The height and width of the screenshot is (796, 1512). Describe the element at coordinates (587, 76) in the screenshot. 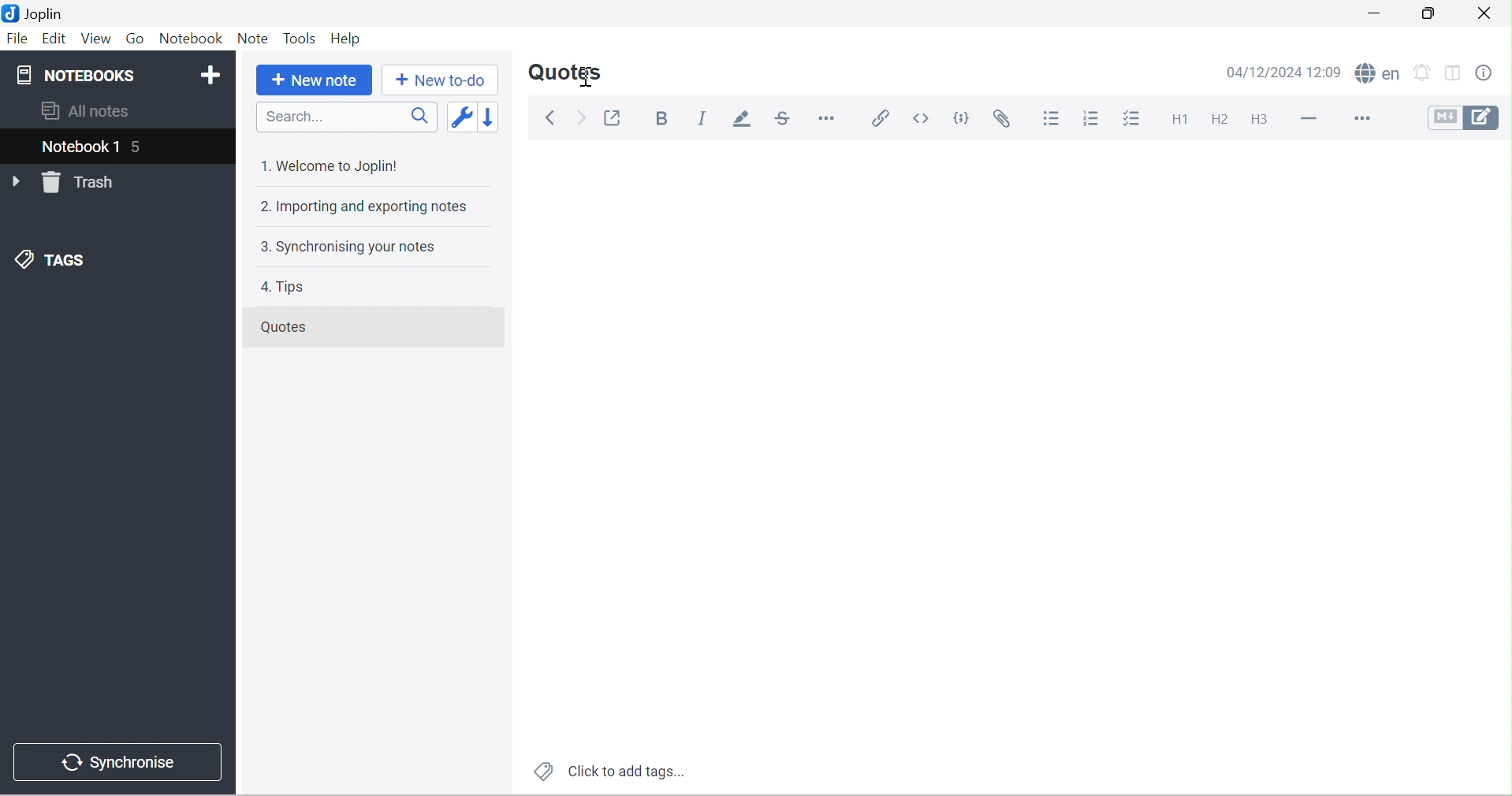

I see `Cursor` at that location.